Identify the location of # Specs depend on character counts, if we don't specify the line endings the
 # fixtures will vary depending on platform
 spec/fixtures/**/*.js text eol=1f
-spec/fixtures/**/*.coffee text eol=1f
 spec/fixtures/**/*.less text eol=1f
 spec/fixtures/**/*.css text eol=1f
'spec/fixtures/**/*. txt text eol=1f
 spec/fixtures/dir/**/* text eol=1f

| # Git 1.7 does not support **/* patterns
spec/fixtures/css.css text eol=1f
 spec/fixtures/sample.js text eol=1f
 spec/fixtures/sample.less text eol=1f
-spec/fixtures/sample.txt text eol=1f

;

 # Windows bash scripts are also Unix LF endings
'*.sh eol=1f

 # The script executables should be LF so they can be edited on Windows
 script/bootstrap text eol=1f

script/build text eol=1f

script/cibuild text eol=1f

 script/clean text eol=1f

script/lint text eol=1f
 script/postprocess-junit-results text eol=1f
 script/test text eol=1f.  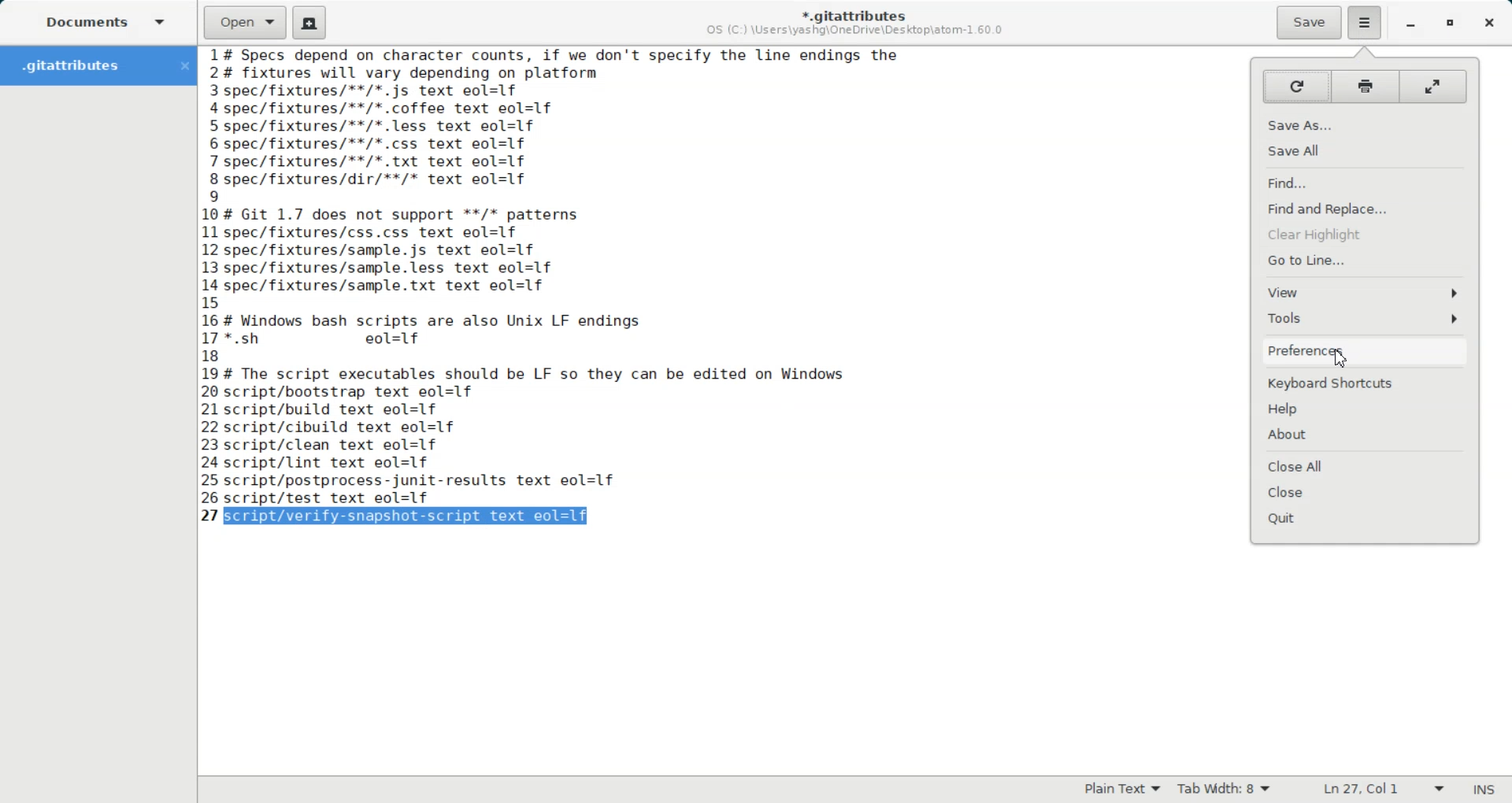
(576, 276).